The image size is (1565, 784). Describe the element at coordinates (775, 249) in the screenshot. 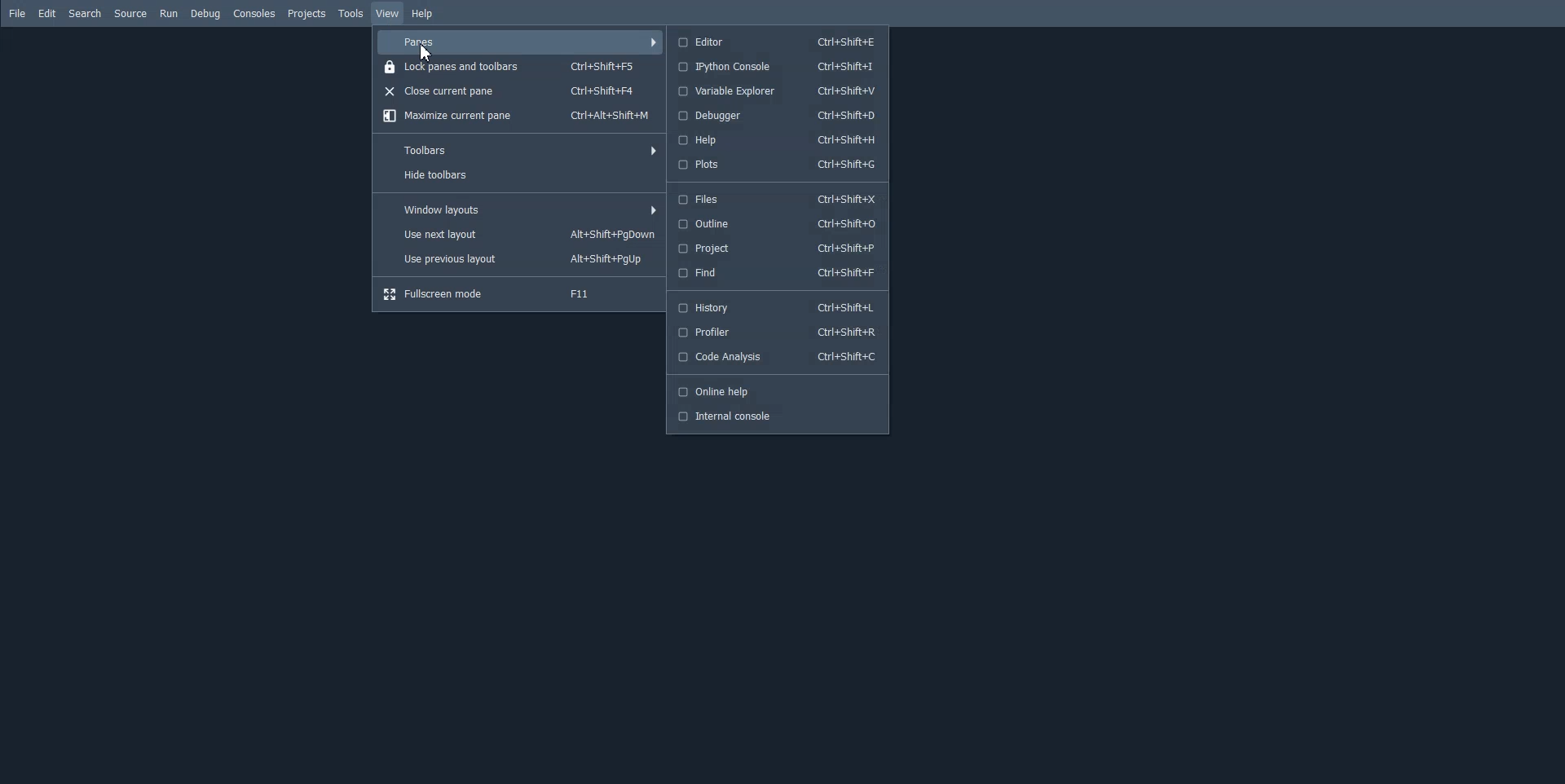

I see `Project` at that location.